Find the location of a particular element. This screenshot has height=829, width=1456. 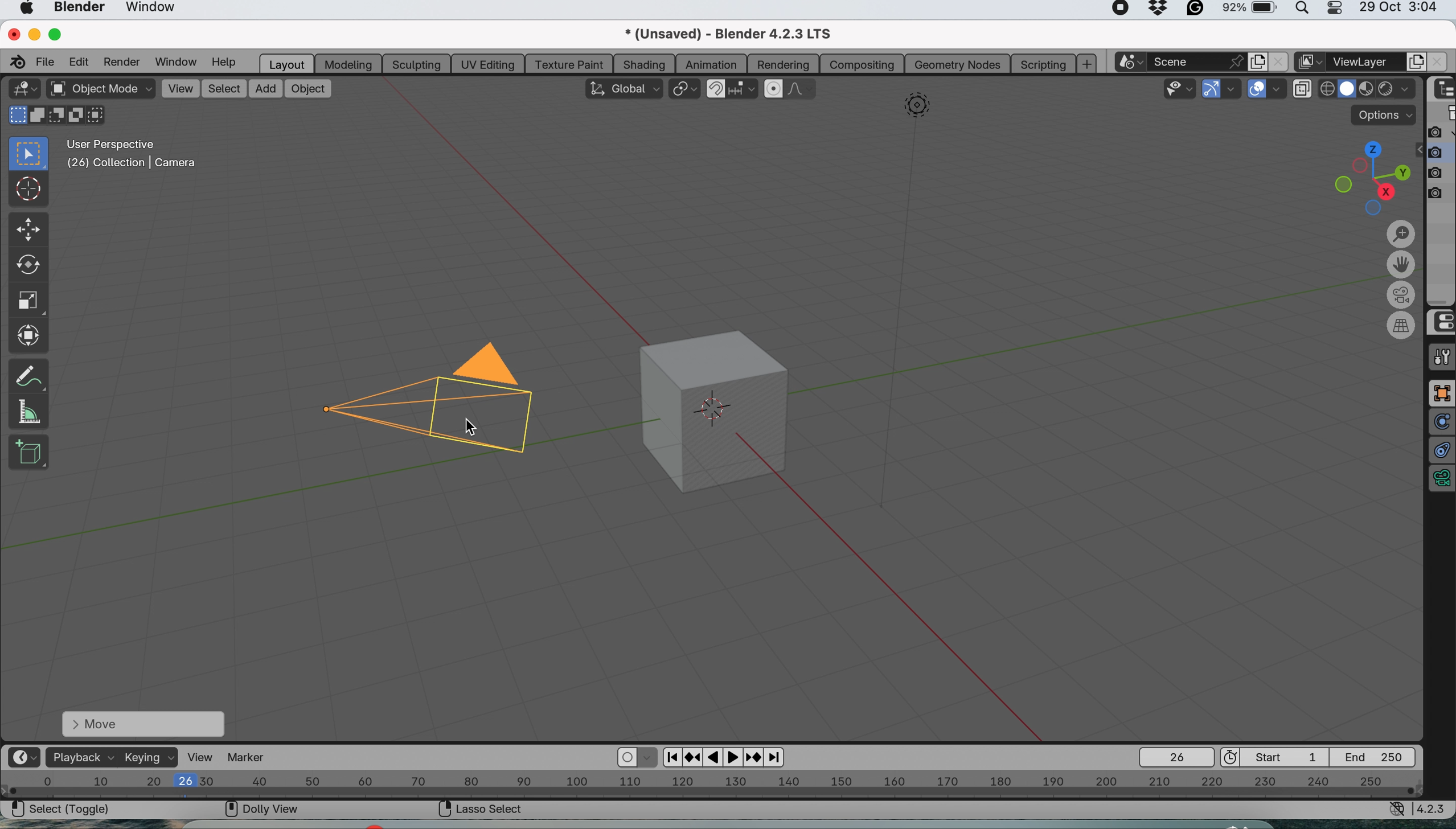

preset viewpoints is located at coordinates (1365, 176).